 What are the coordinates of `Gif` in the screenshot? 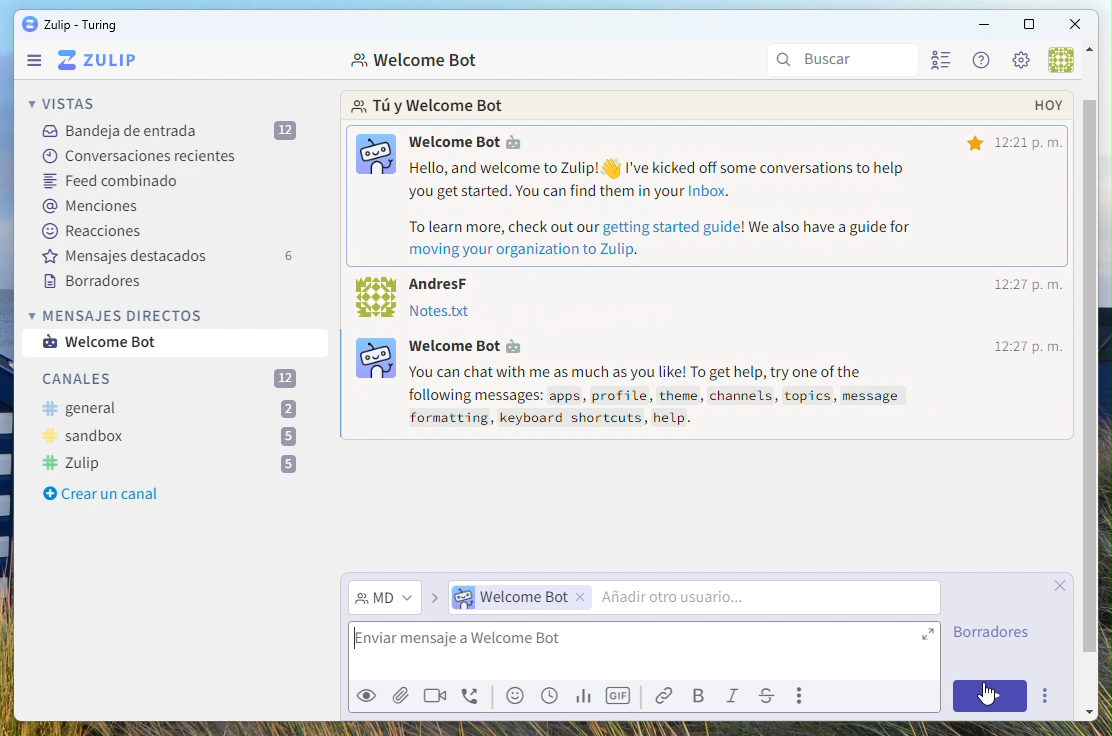 It's located at (620, 696).